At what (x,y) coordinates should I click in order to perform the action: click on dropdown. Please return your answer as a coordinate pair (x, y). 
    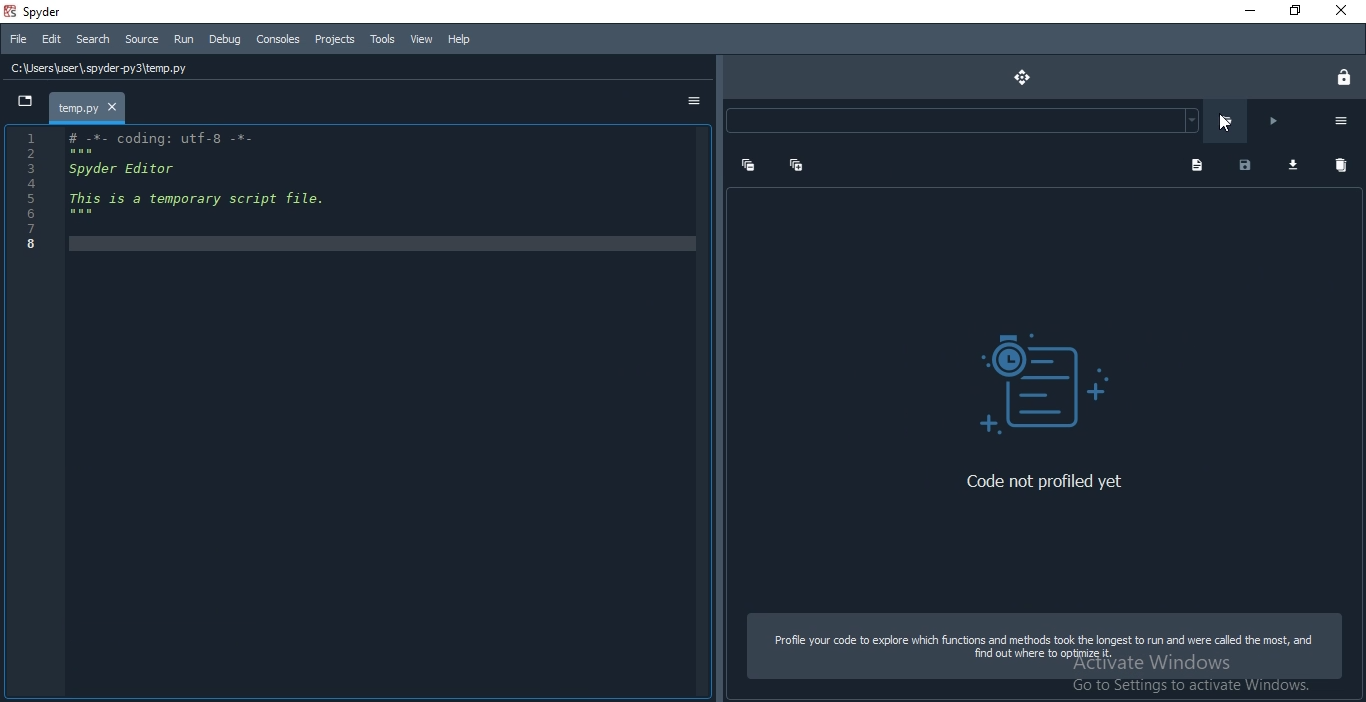
    Looking at the image, I should click on (23, 104).